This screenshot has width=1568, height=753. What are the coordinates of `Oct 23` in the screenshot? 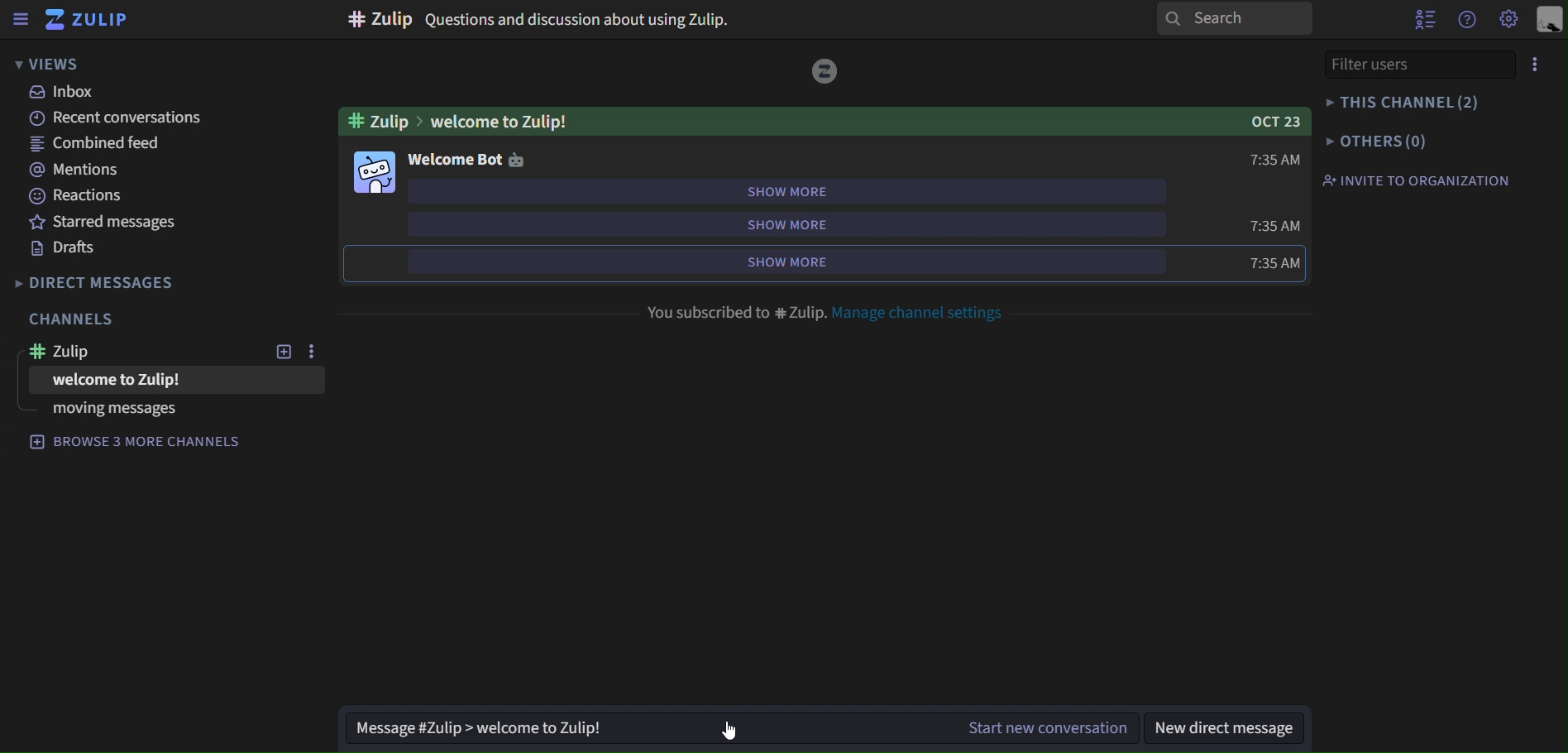 It's located at (1275, 121).